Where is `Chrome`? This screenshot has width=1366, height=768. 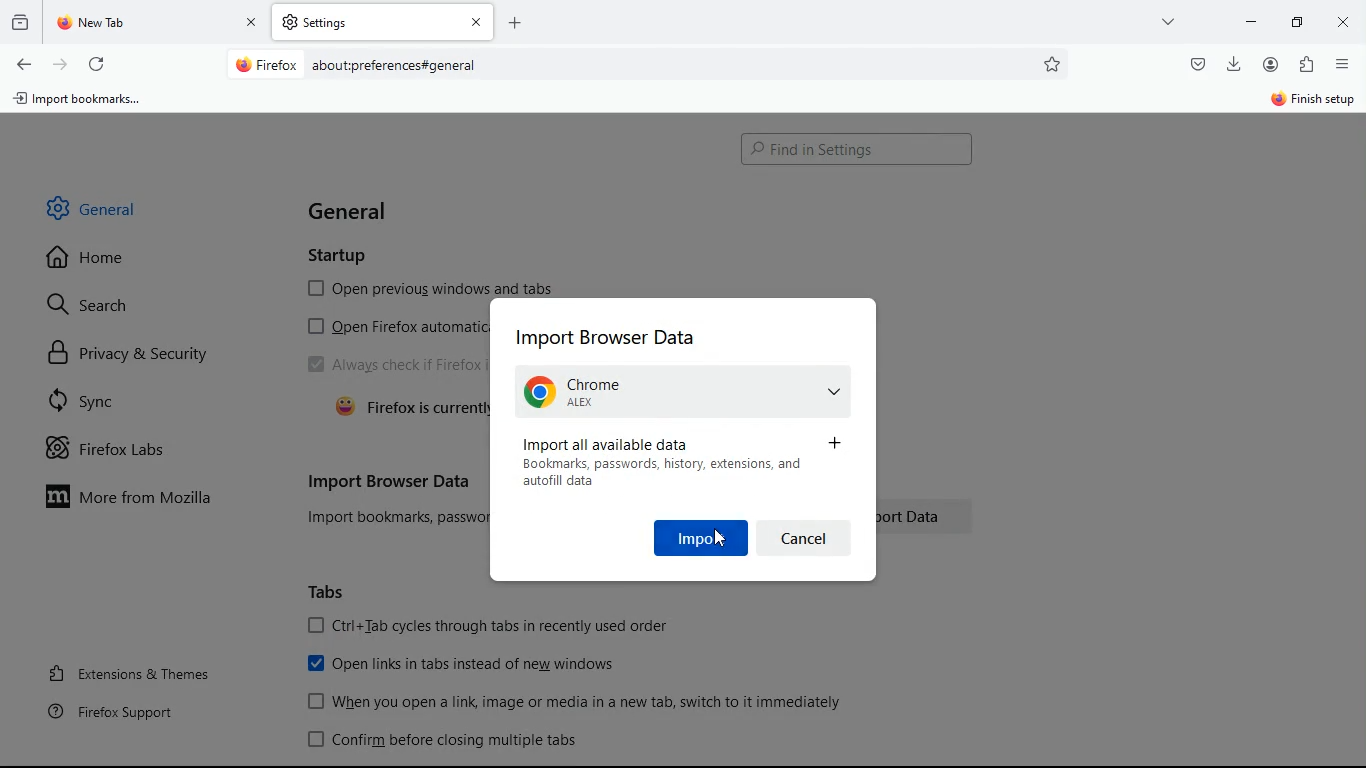 Chrome is located at coordinates (684, 392).